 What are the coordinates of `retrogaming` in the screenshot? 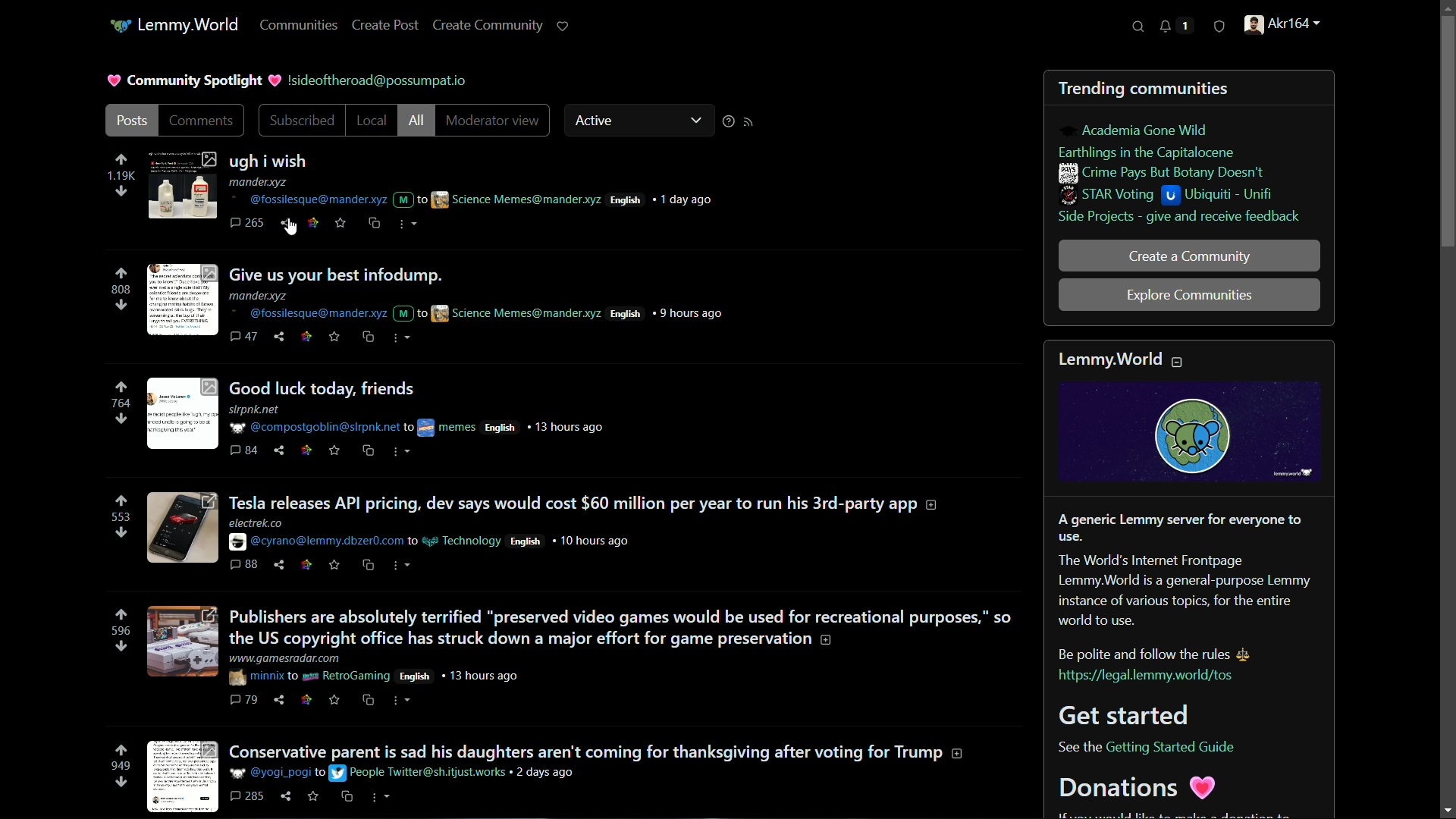 It's located at (347, 677).